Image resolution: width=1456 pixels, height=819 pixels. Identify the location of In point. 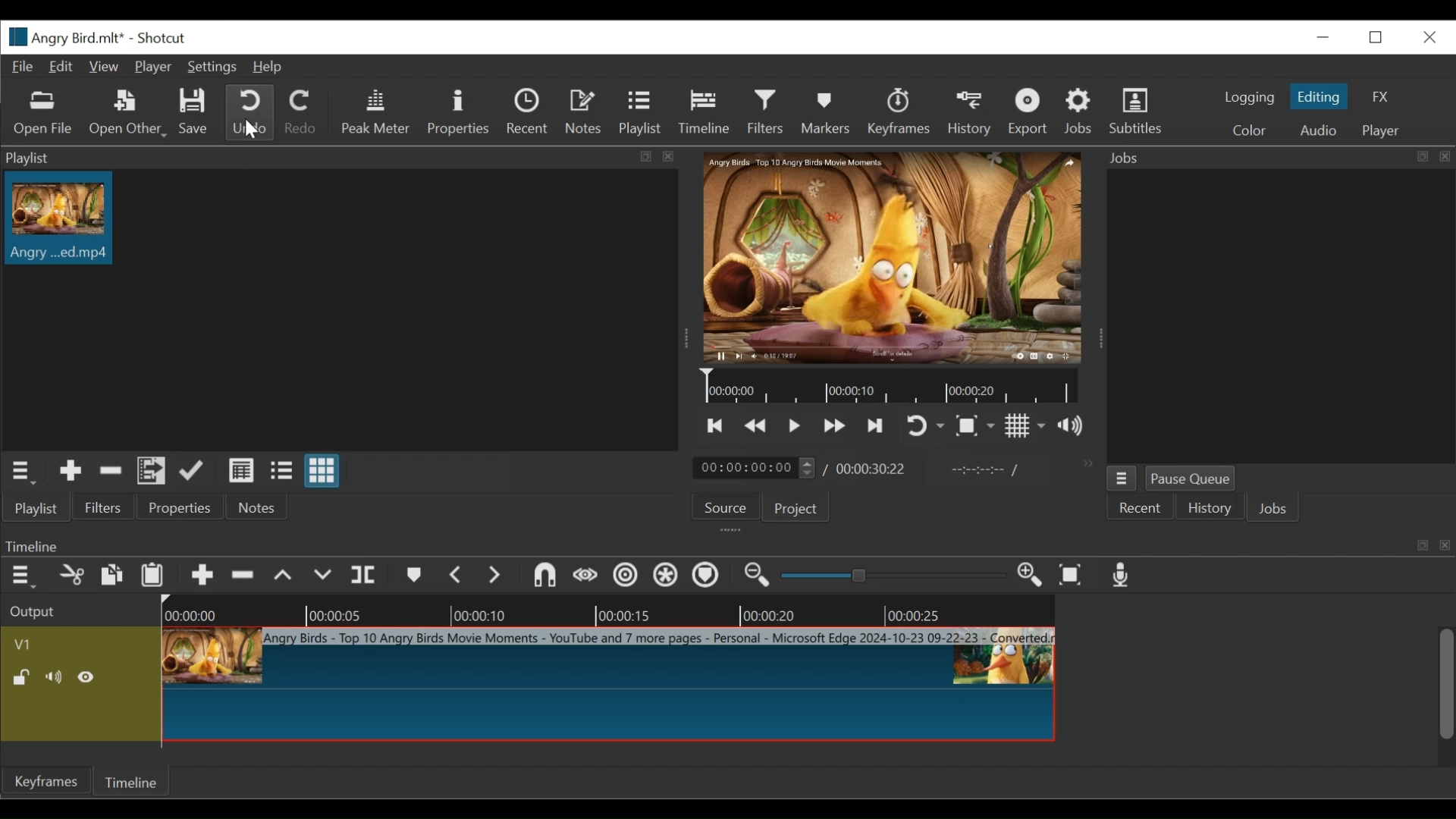
(984, 470).